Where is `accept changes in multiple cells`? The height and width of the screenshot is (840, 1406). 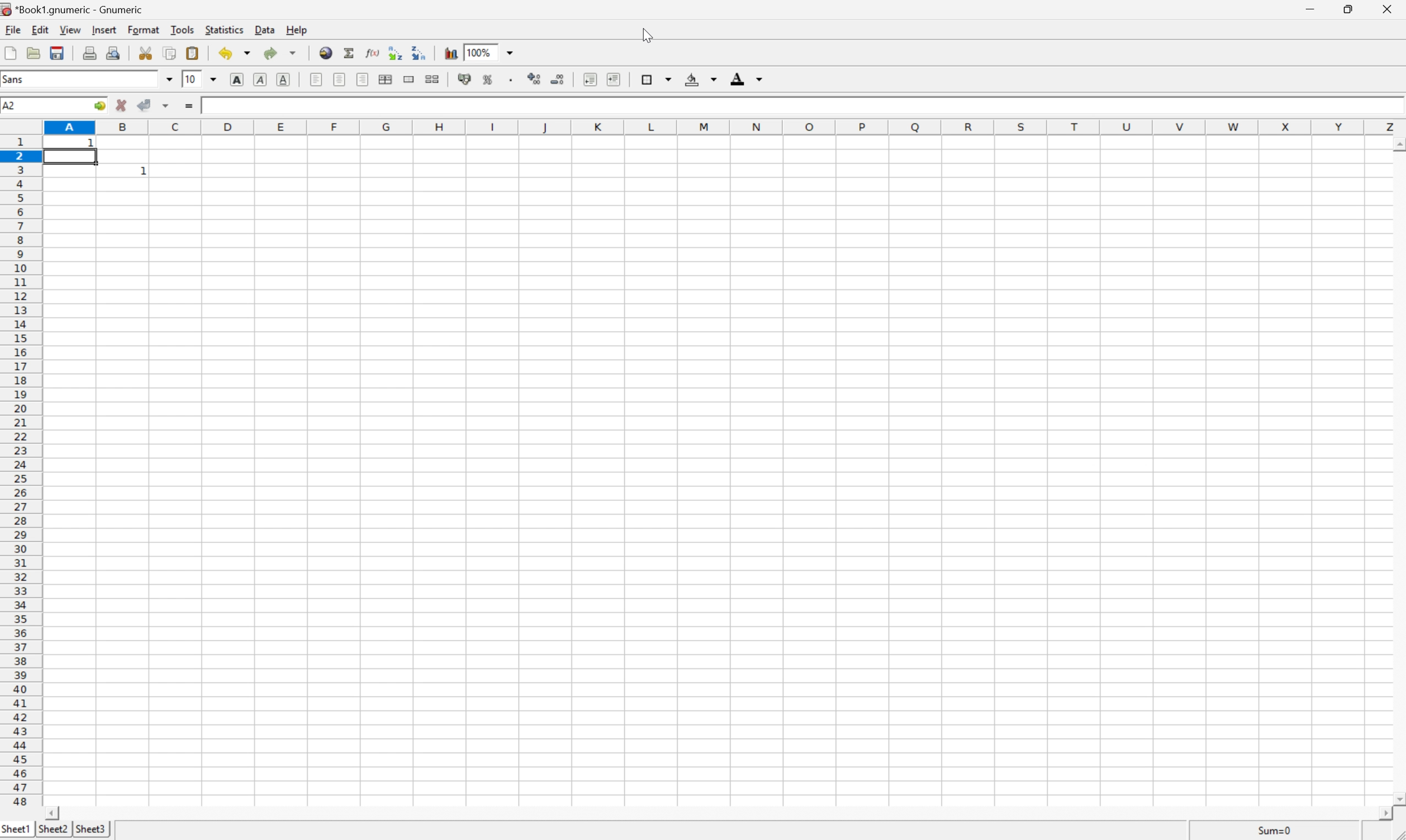 accept changes in multiple cells is located at coordinates (158, 103).